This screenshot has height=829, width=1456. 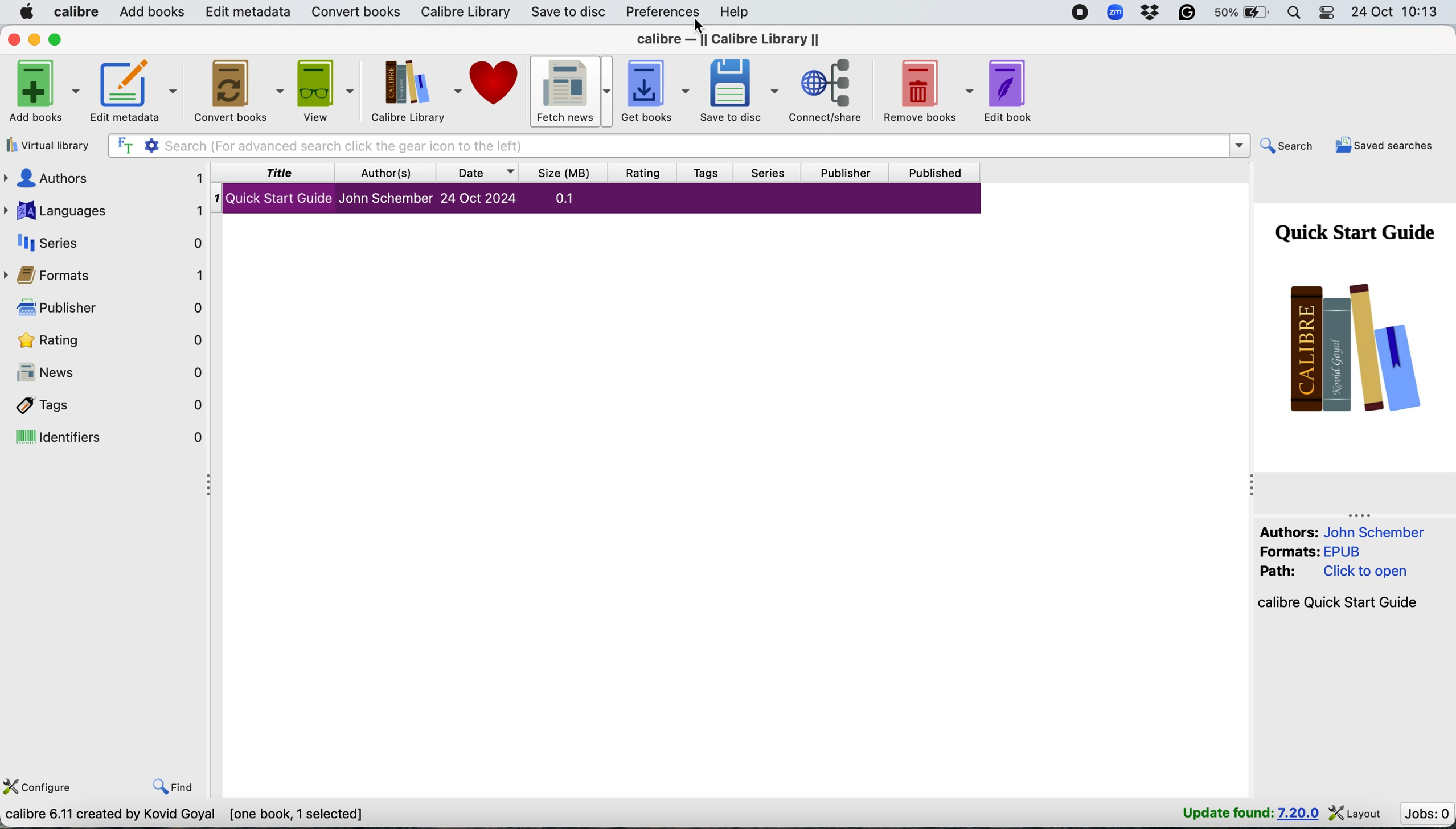 I want to click on help, so click(x=739, y=13).